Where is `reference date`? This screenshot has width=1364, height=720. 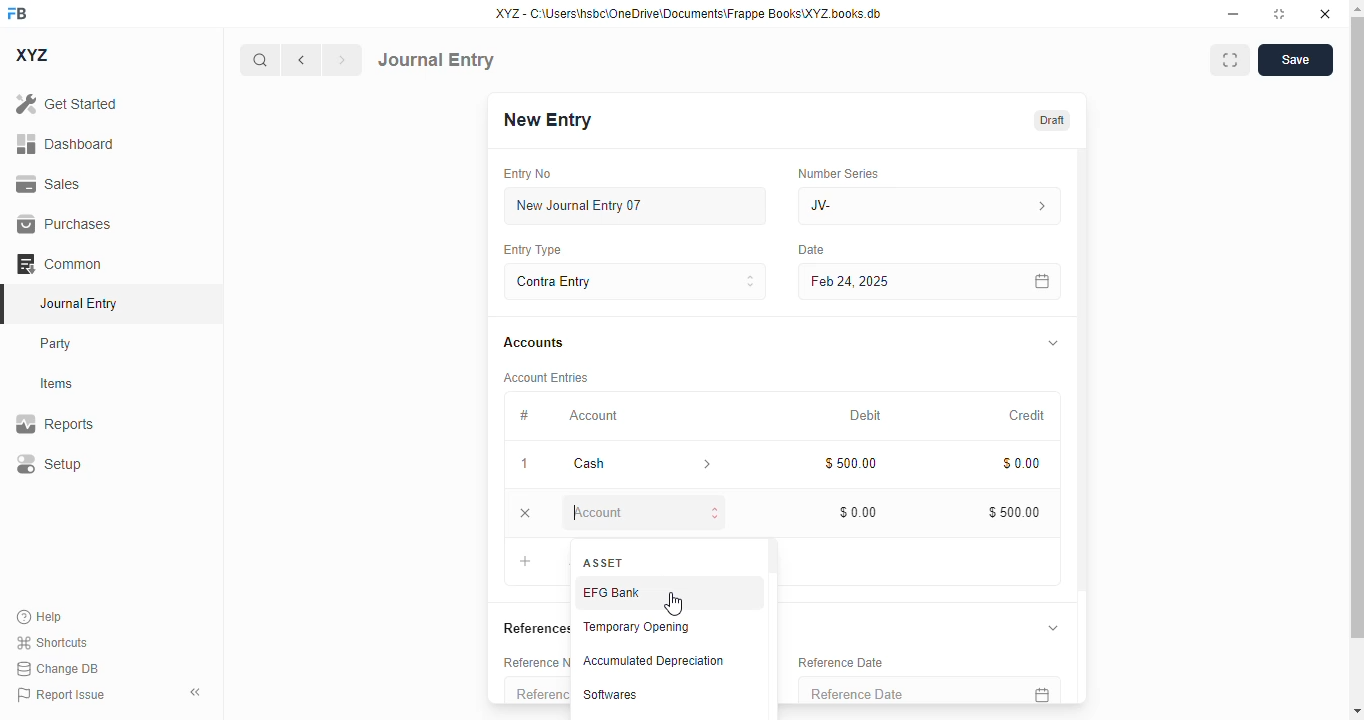
reference date is located at coordinates (889, 690).